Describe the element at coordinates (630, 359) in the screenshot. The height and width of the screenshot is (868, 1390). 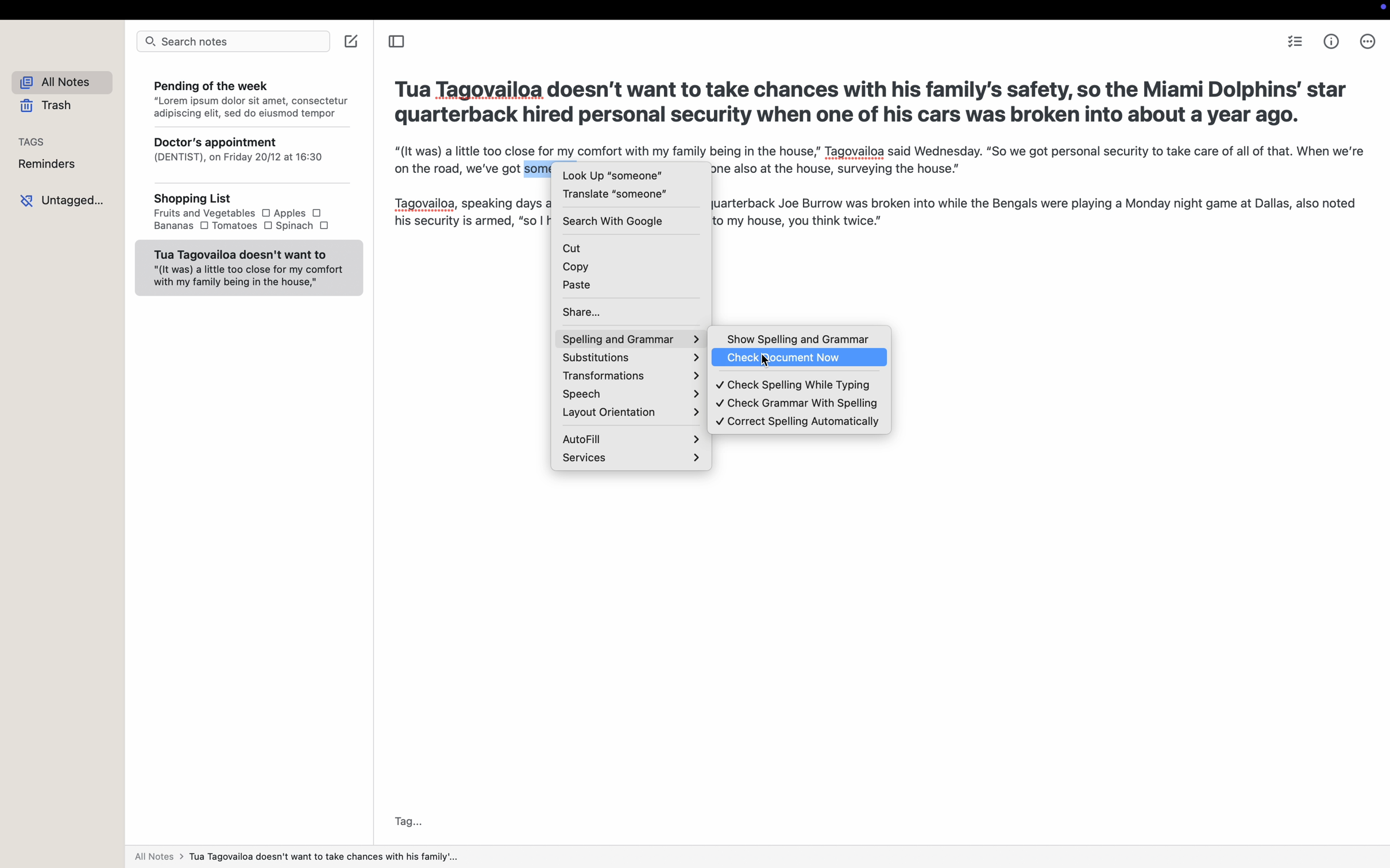
I see `substitutions` at that location.